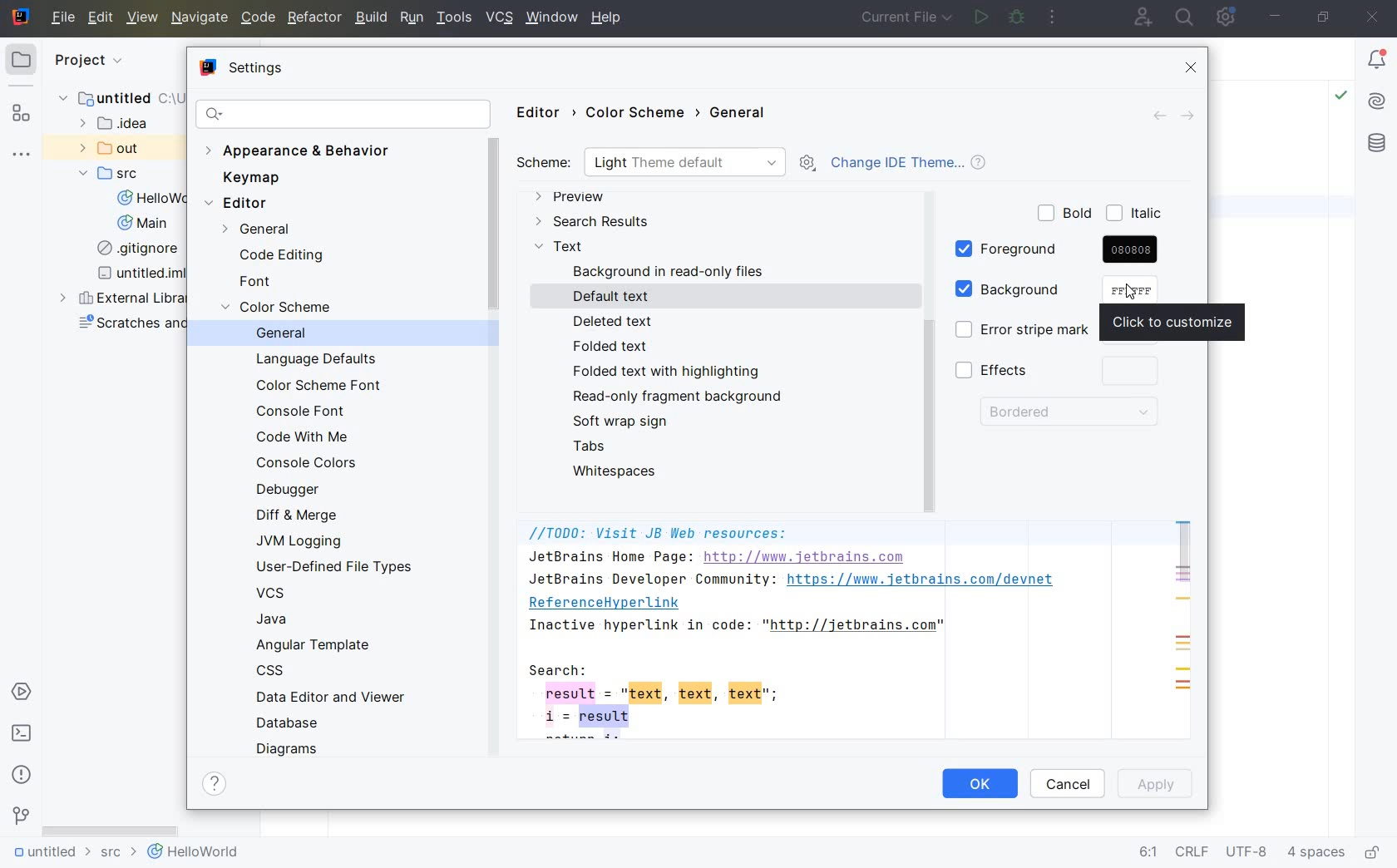 This screenshot has width=1397, height=868. What do you see at coordinates (615, 297) in the screenshot?
I see `DEFAULT TEXT` at bounding box center [615, 297].